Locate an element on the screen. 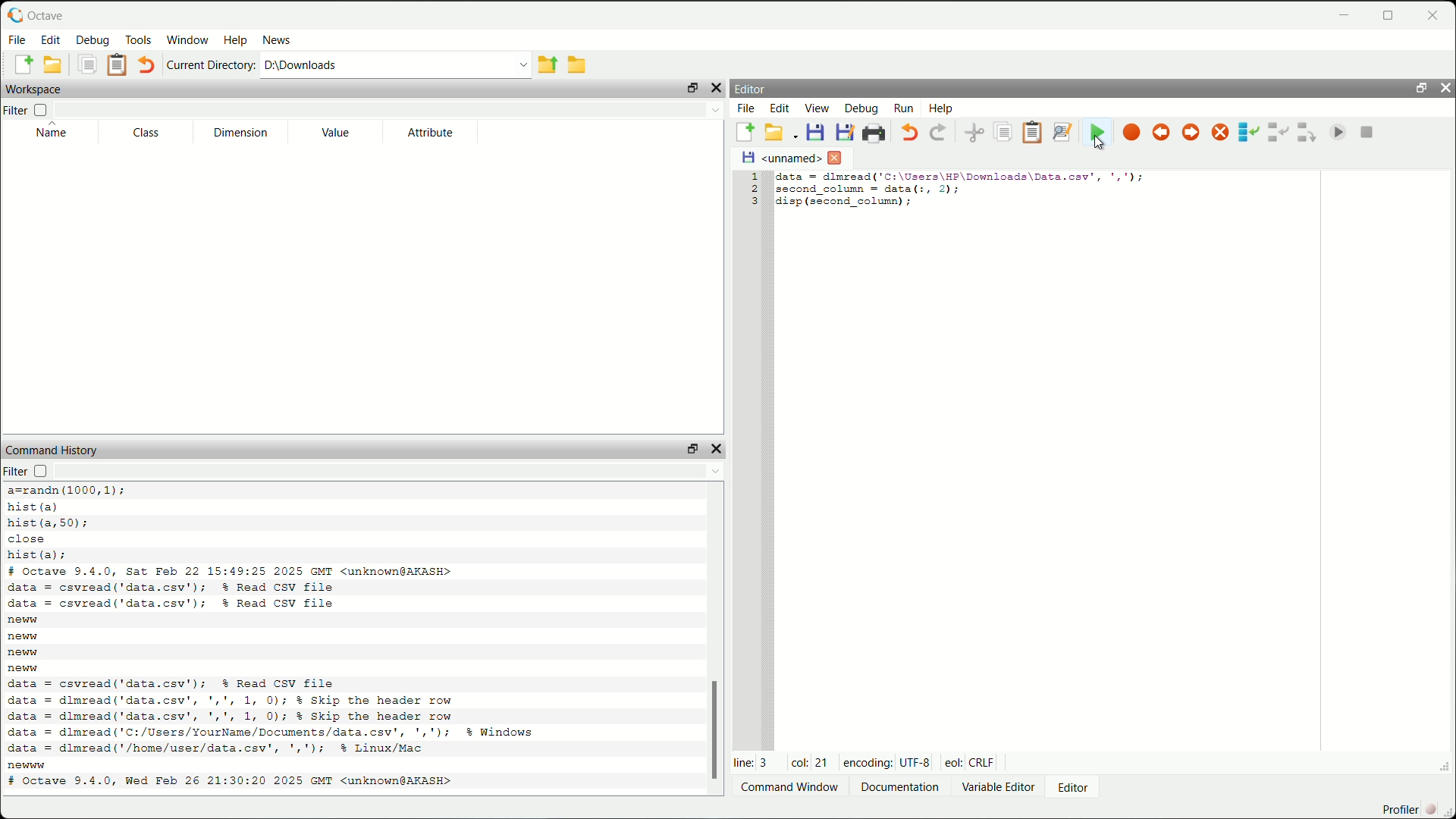 This screenshot has height=819, width=1456. help is located at coordinates (236, 40).